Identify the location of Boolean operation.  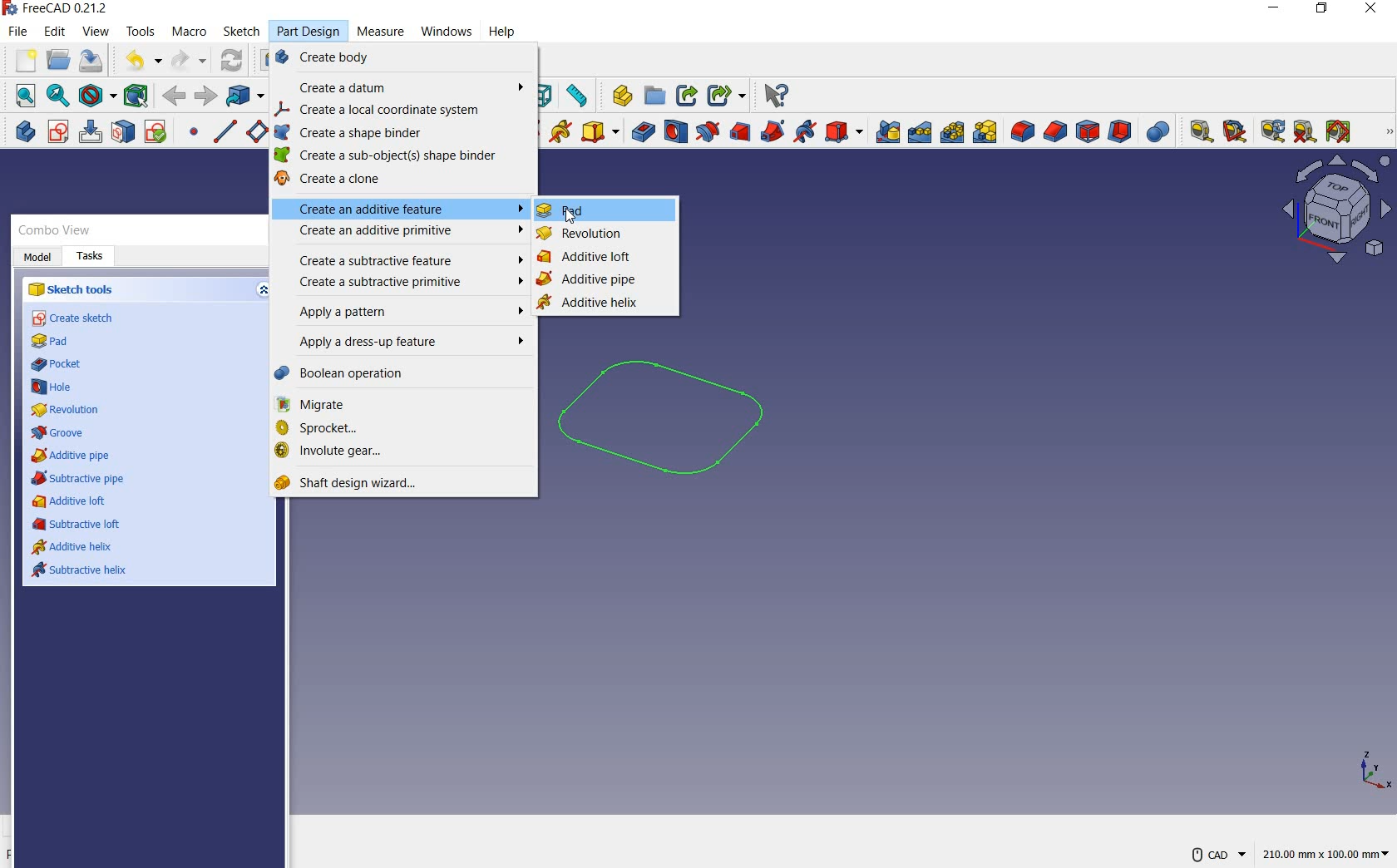
(1156, 130).